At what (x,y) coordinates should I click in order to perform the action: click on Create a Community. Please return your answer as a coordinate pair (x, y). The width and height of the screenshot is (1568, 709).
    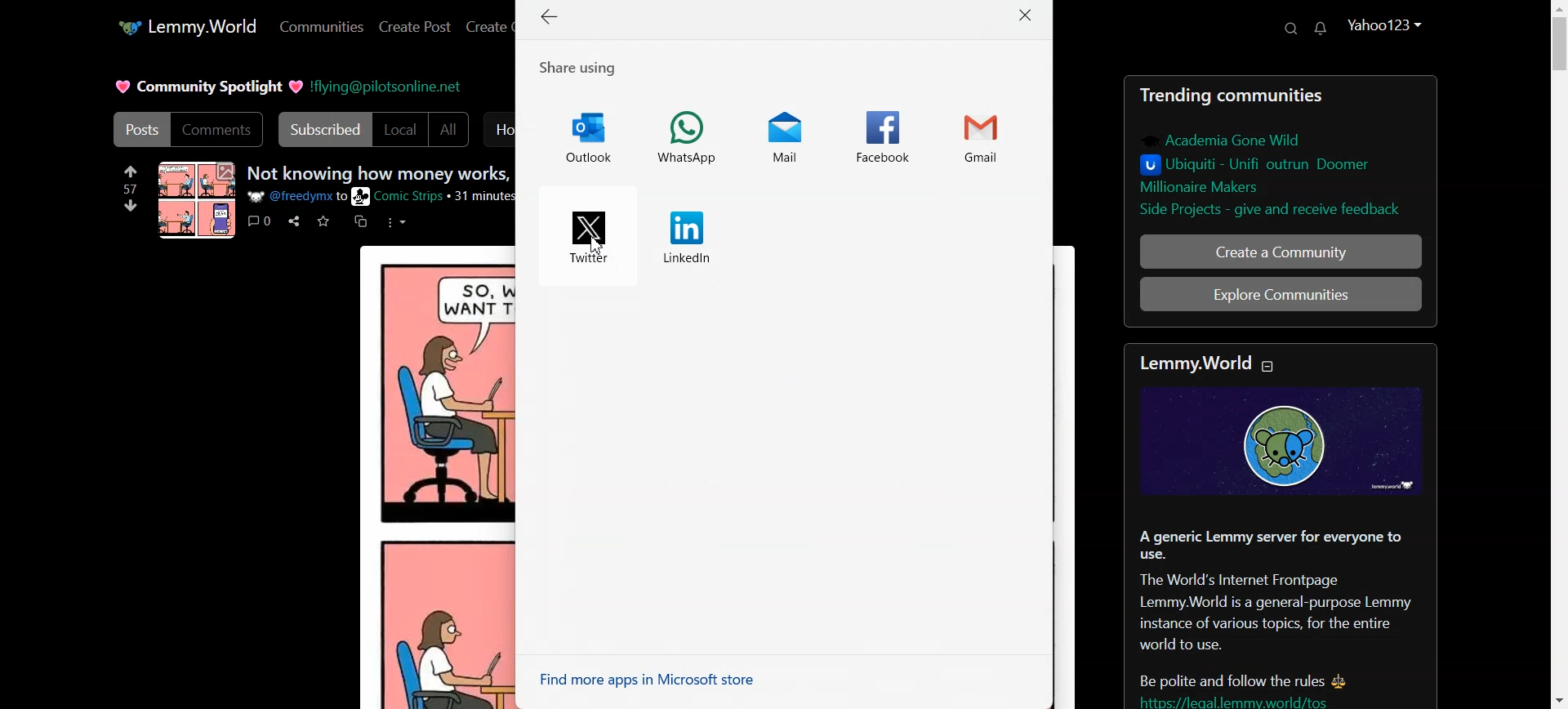
    Looking at the image, I should click on (1281, 251).